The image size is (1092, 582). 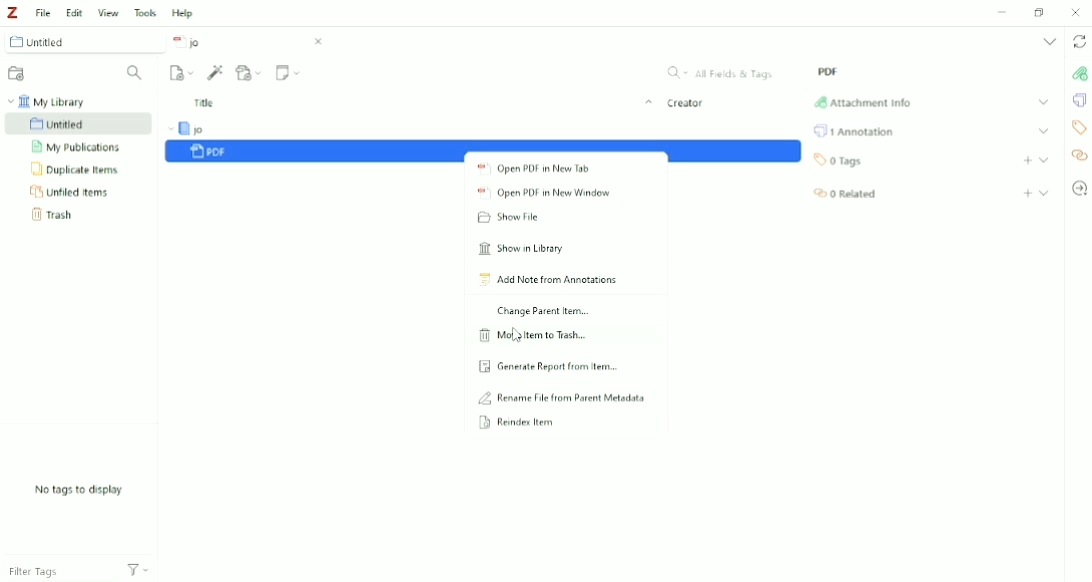 What do you see at coordinates (249, 73) in the screenshot?
I see `Add Attachment` at bounding box center [249, 73].